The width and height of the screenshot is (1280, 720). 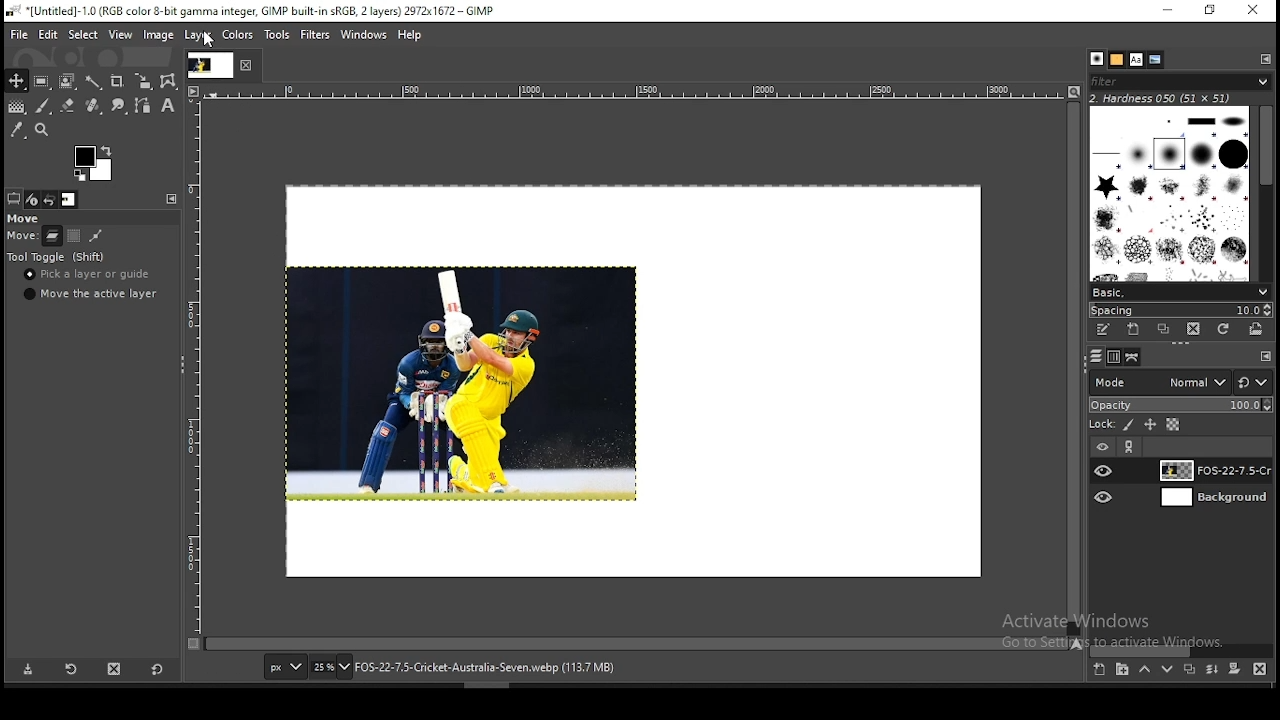 What do you see at coordinates (84, 36) in the screenshot?
I see `select` at bounding box center [84, 36].